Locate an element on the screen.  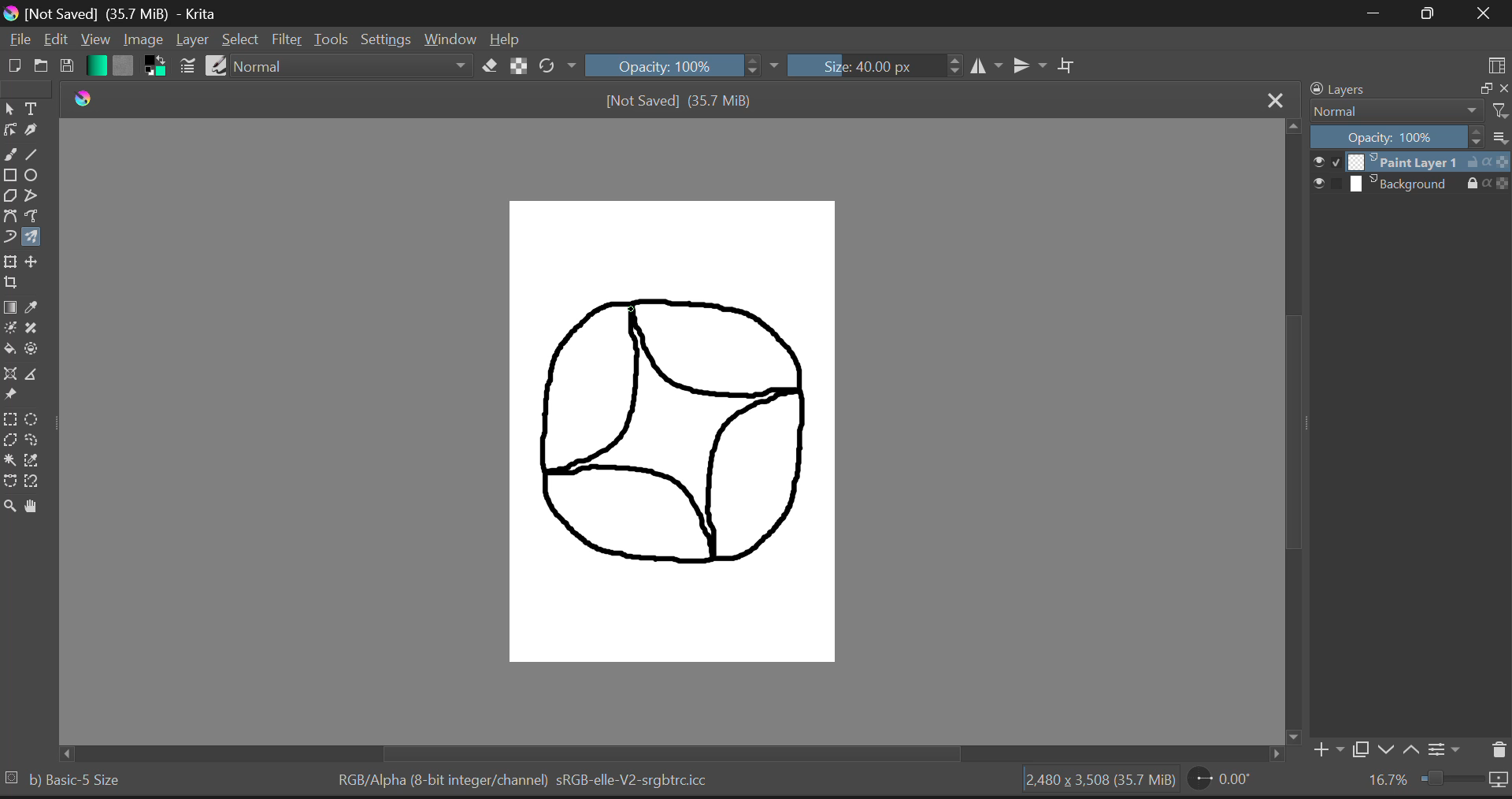
close is located at coordinates (1503, 89).